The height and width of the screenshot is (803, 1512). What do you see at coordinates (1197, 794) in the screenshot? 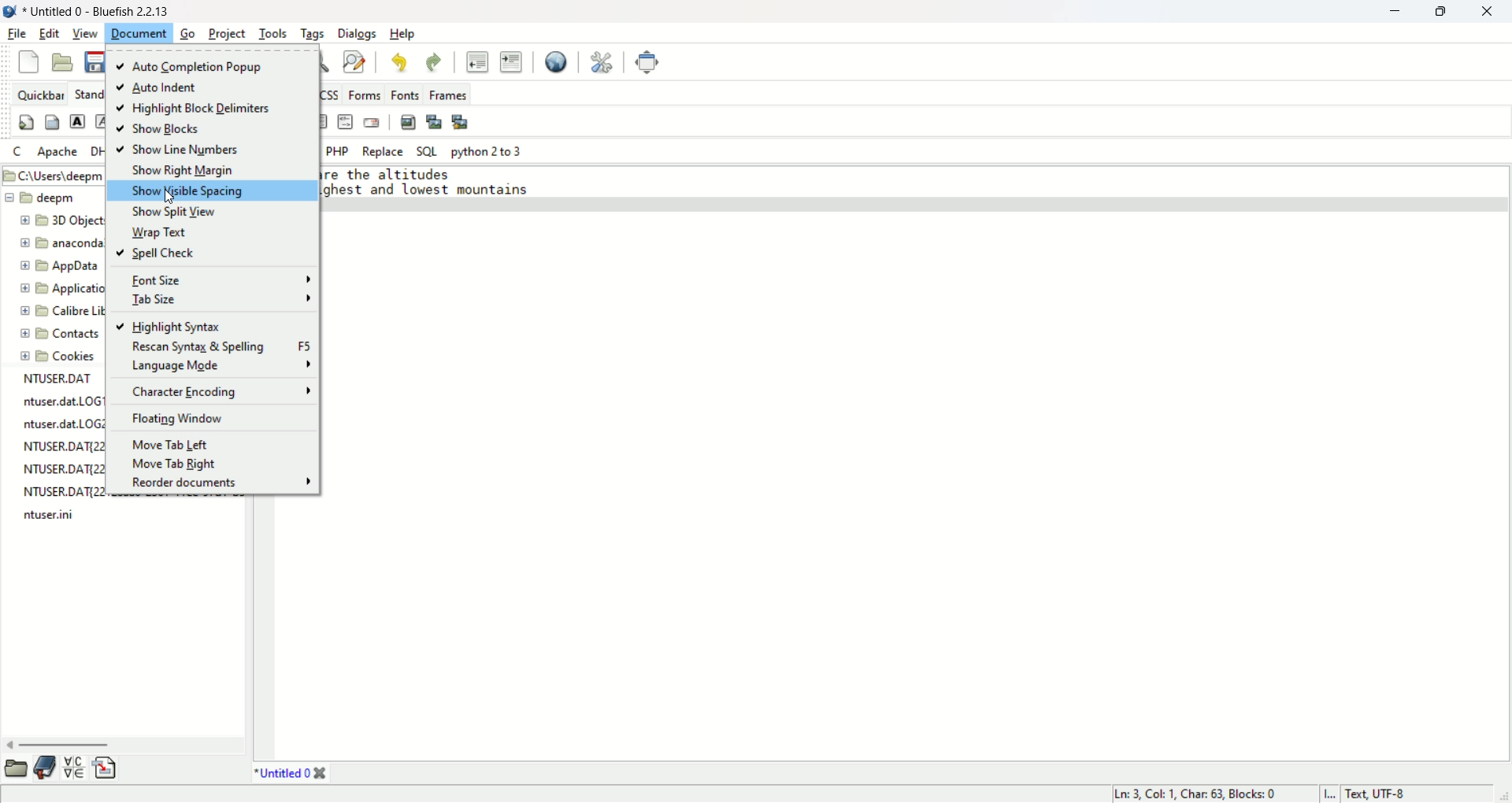
I see `ln, col, char, blocks` at bounding box center [1197, 794].